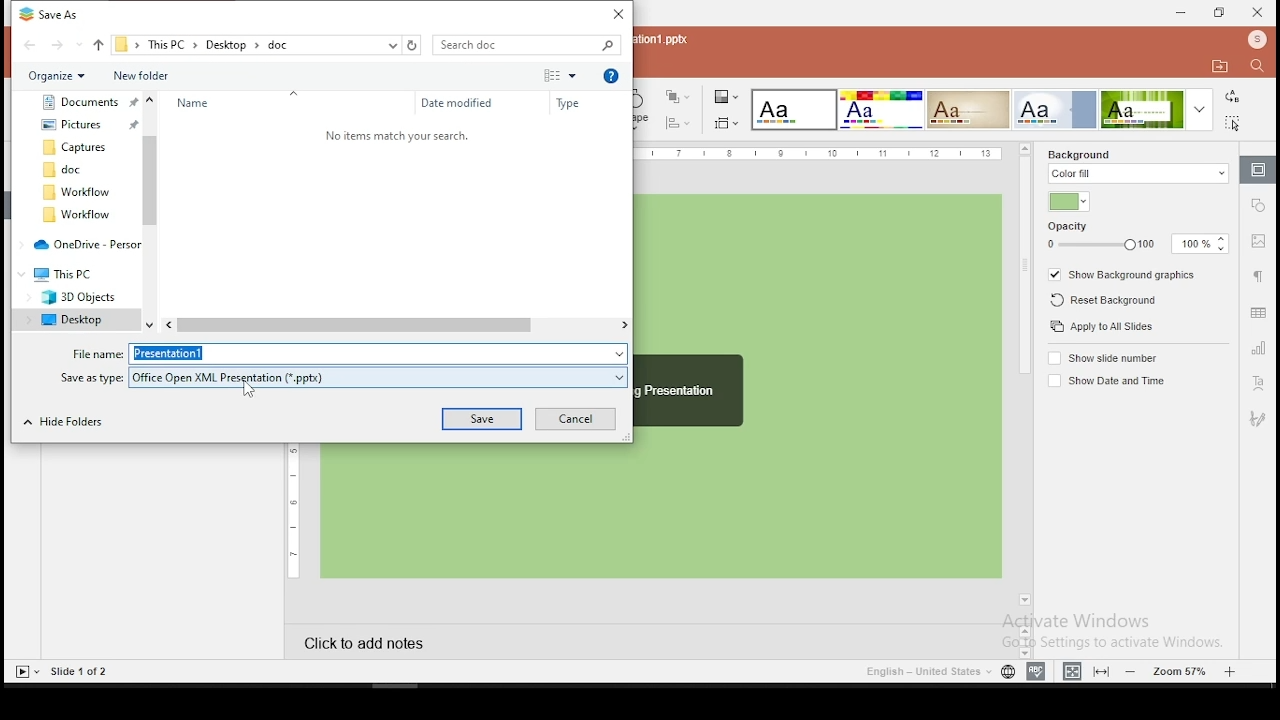 Image resolution: width=1280 pixels, height=720 pixels. I want to click on change color theme, so click(726, 96).